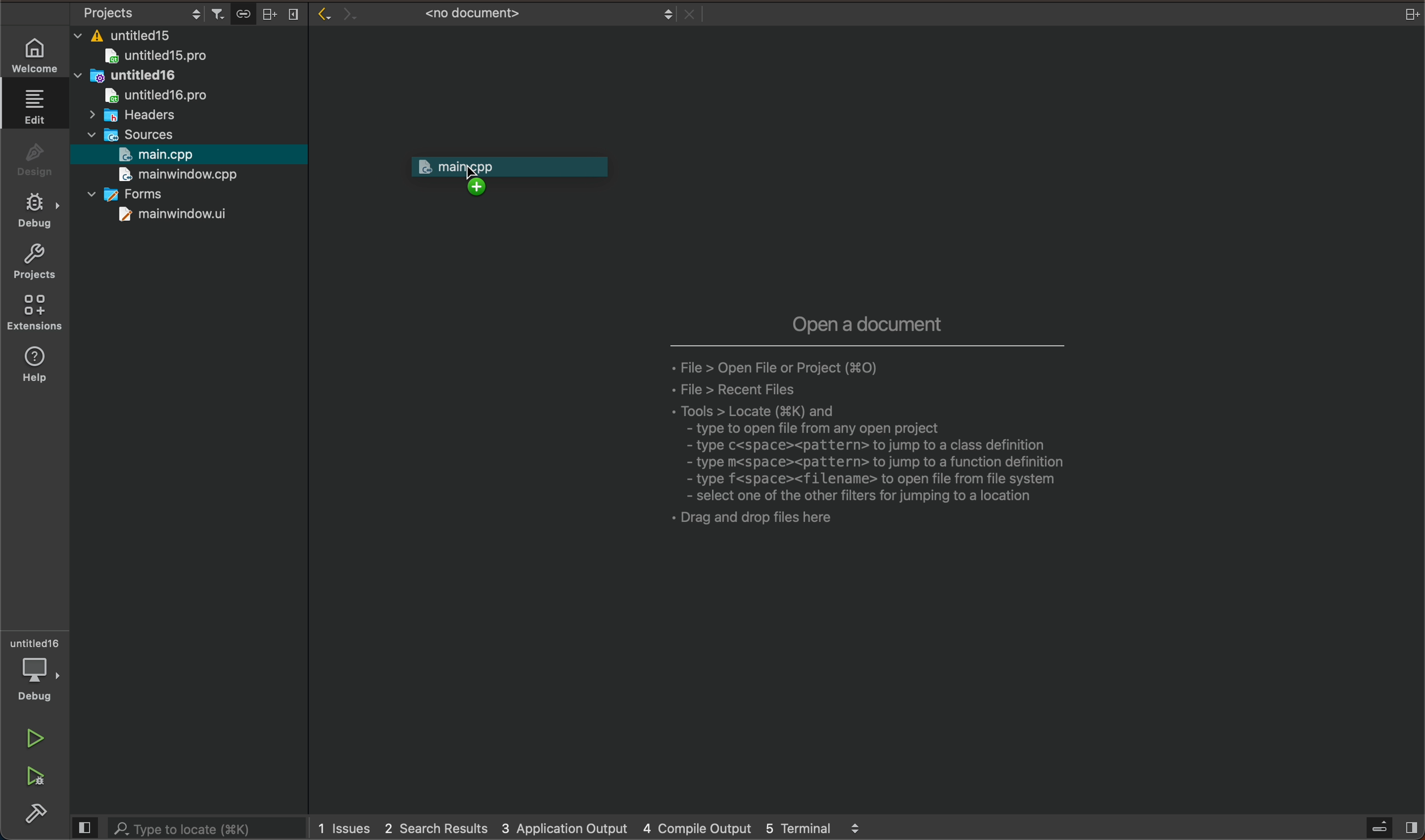 The height and width of the screenshot is (840, 1425). What do you see at coordinates (173, 215) in the screenshot?
I see `mainwindow` at bounding box center [173, 215].